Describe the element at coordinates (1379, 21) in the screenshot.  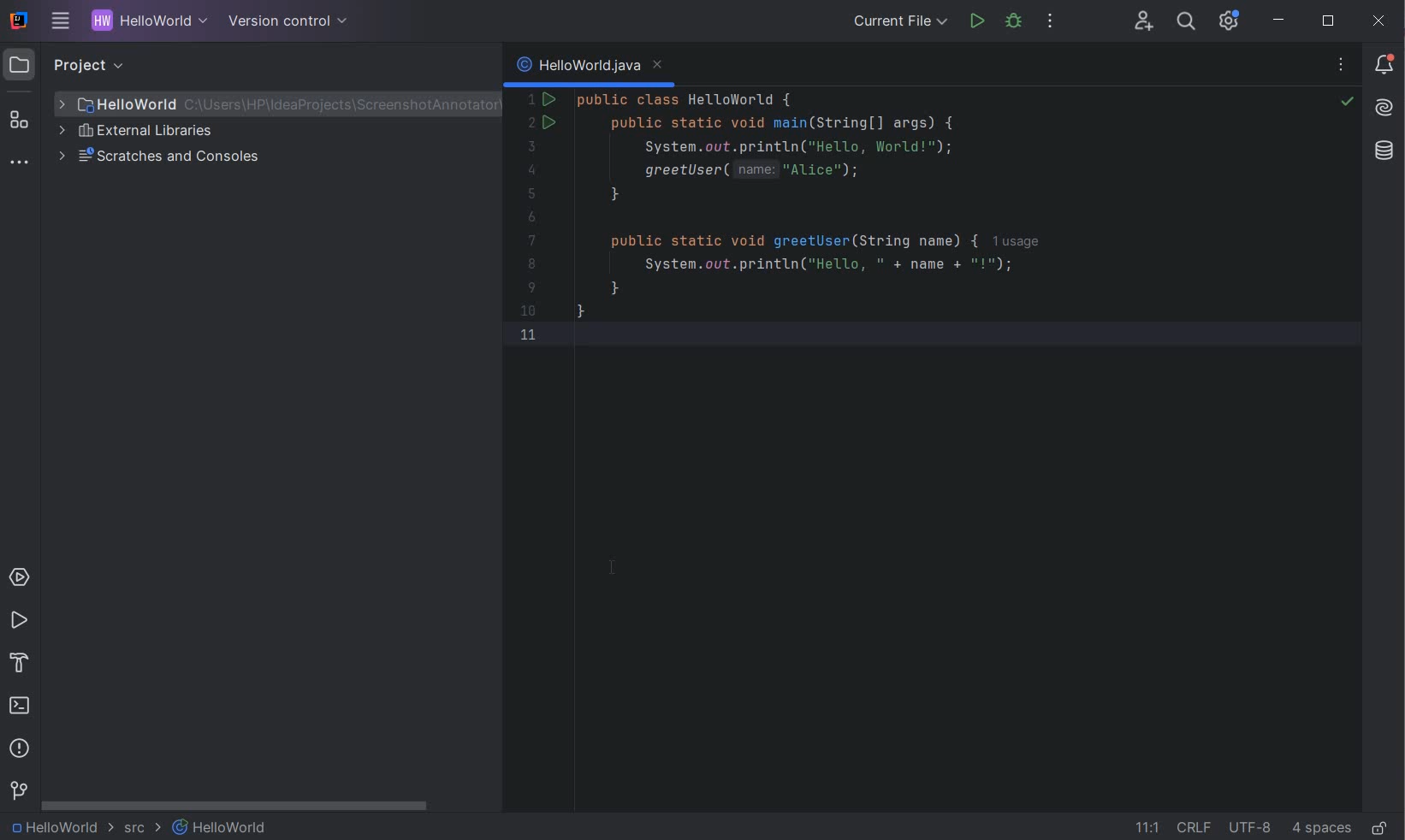
I see `CLOSE` at that location.